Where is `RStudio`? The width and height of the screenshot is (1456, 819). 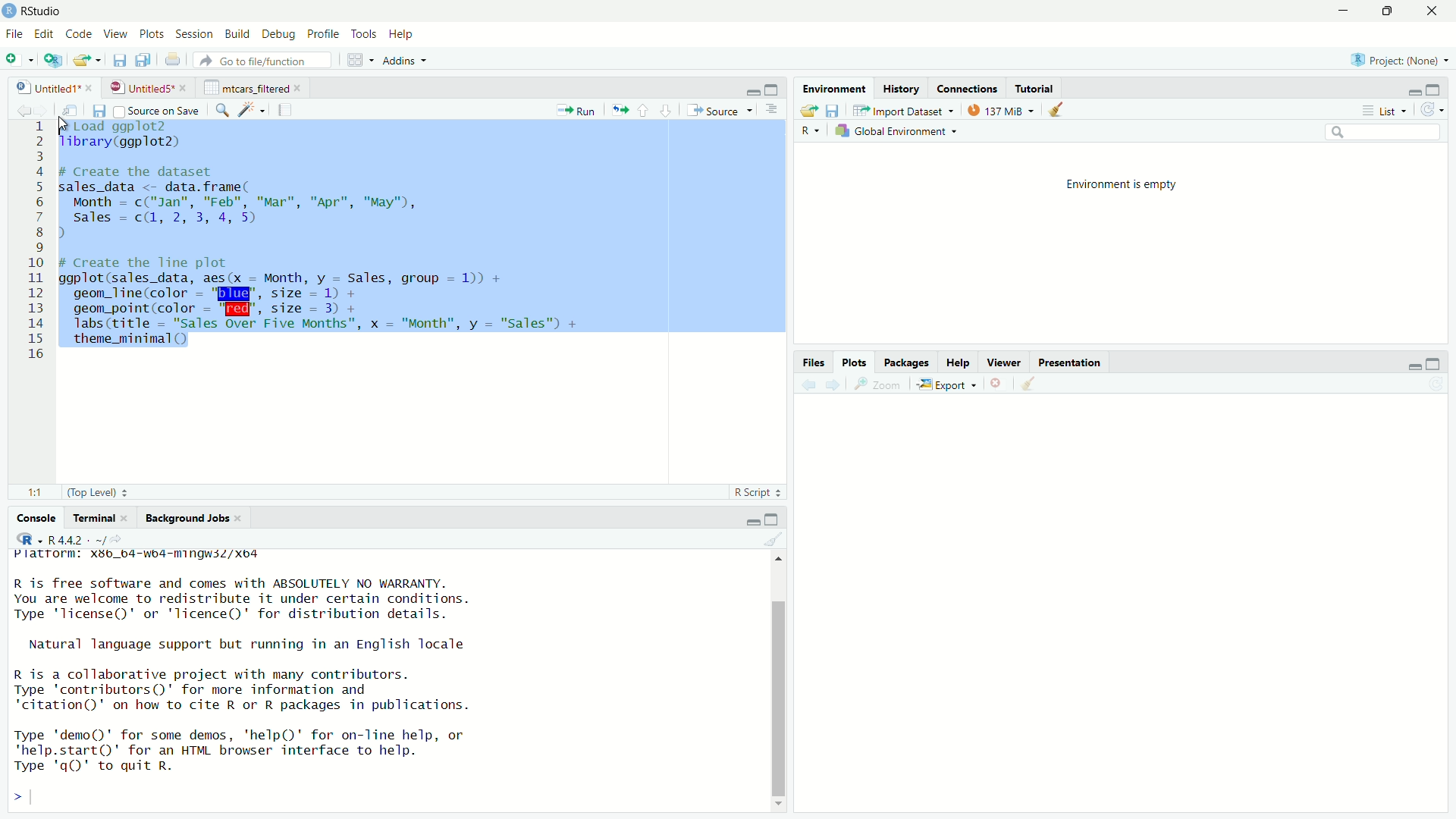 RStudio is located at coordinates (44, 11).